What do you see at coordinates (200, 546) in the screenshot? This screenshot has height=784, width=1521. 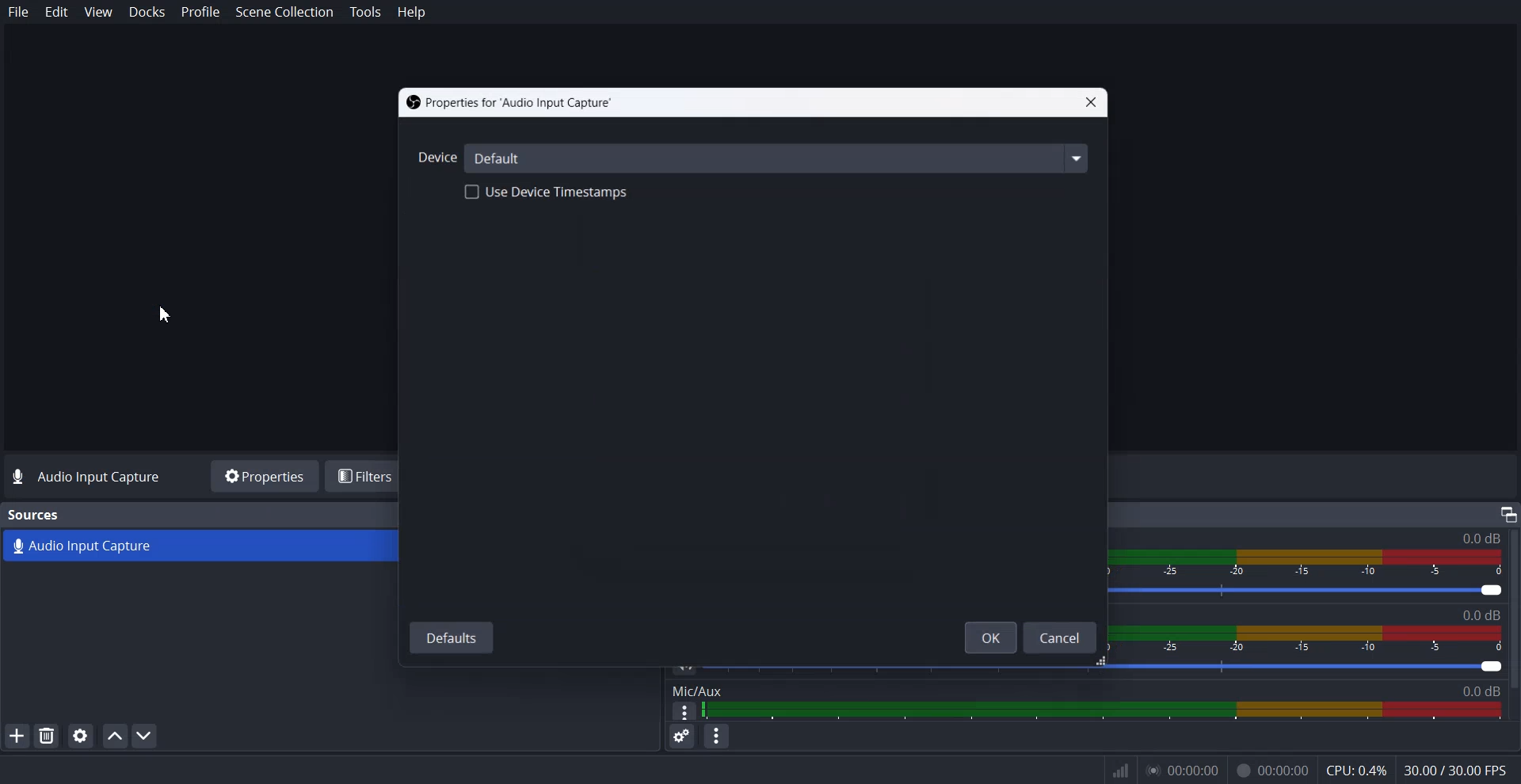 I see `Audio Input Capture` at bounding box center [200, 546].